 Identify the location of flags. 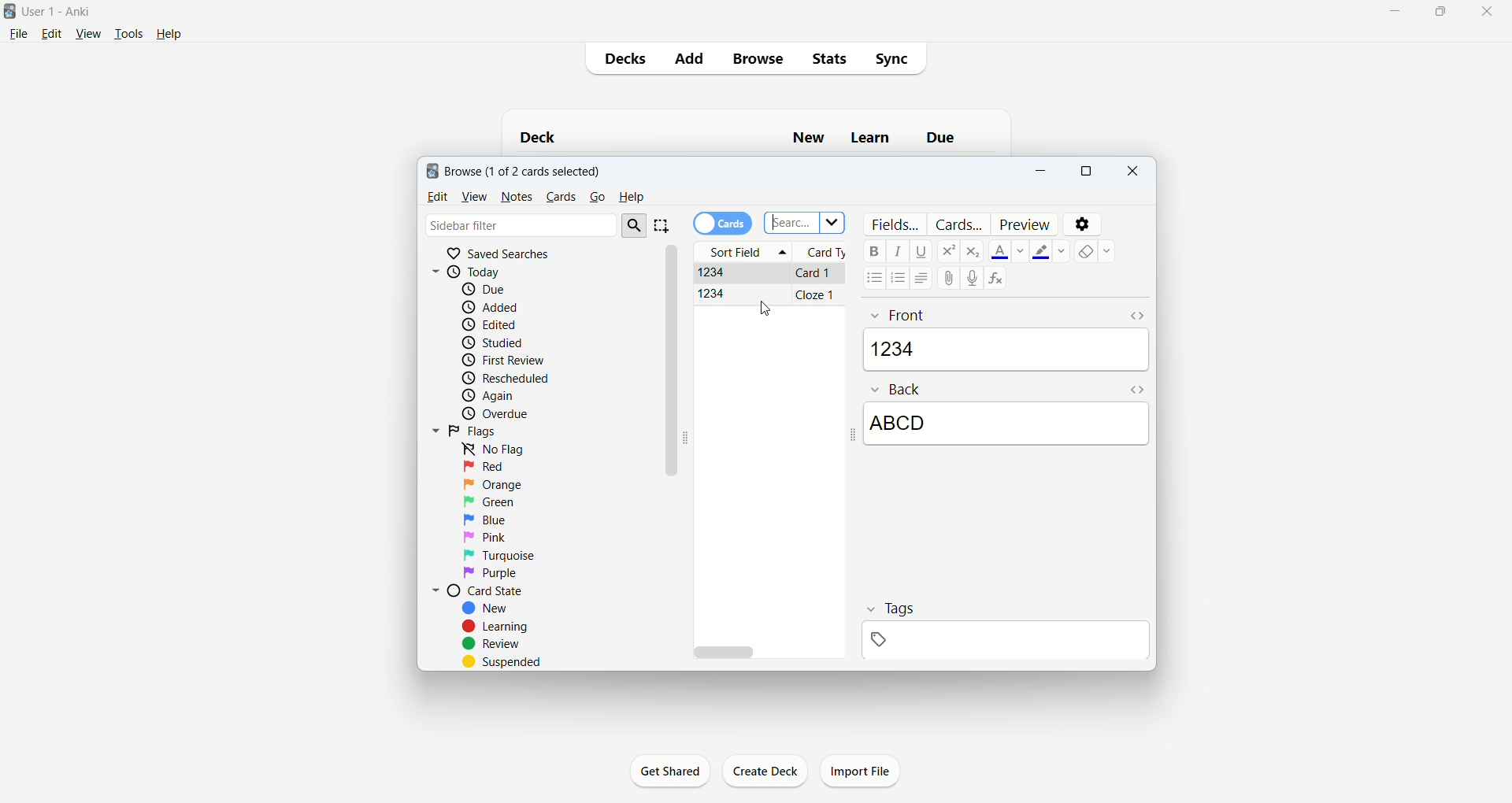
(462, 430).